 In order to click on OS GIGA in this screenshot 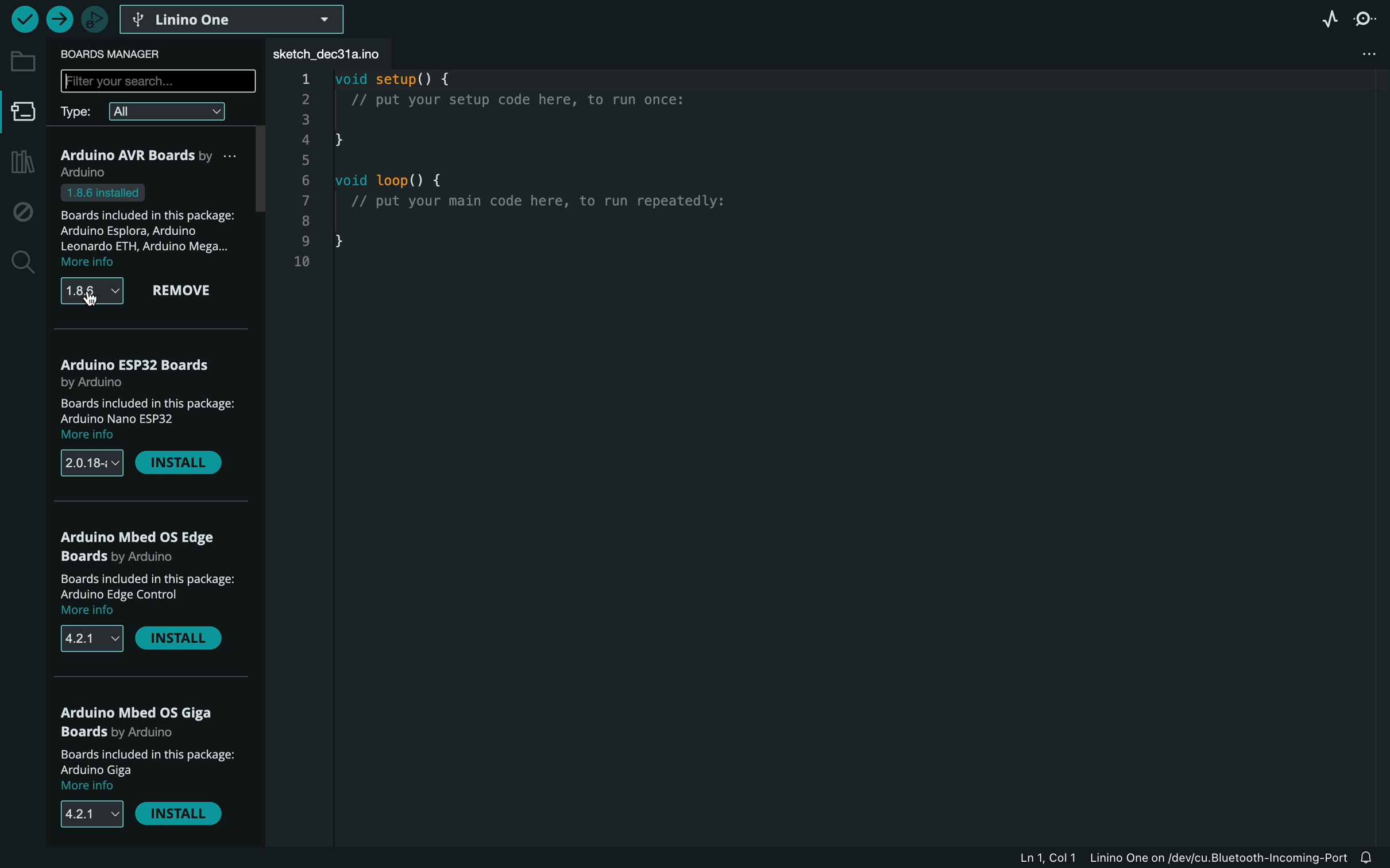, I will do `click(142, 721)`.